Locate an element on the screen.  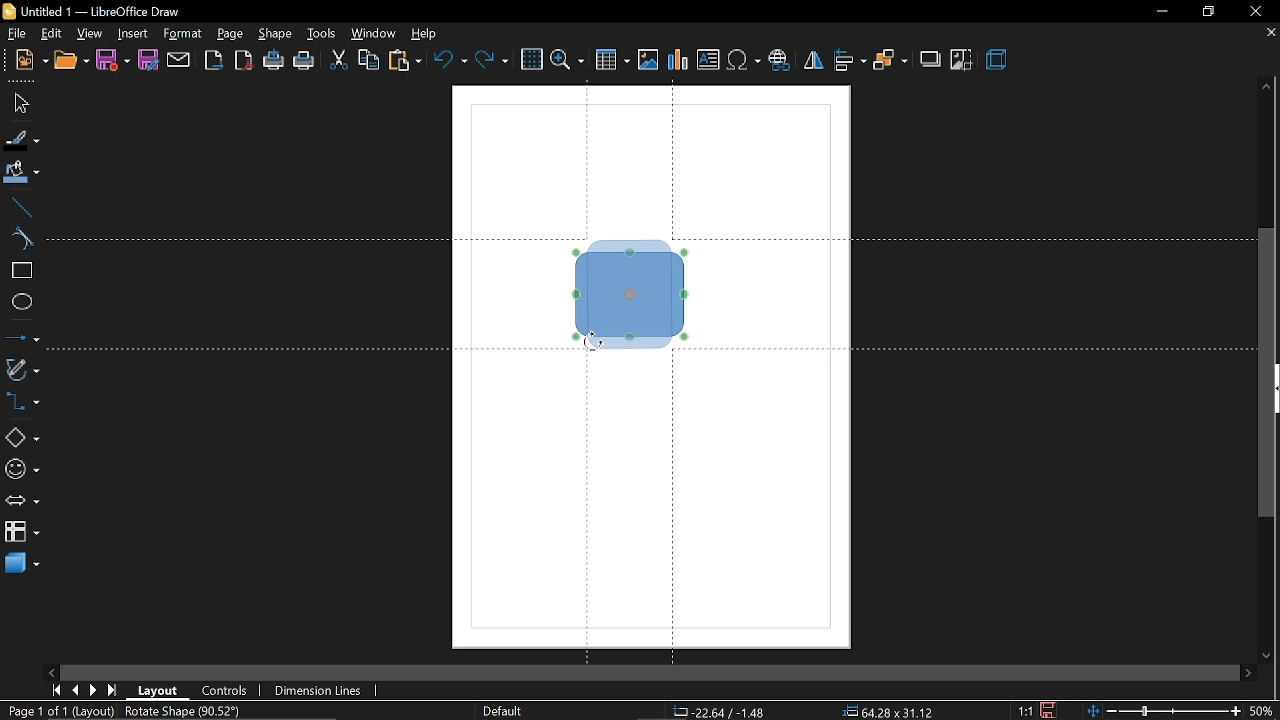
move left is located at coordinates (53, 673).